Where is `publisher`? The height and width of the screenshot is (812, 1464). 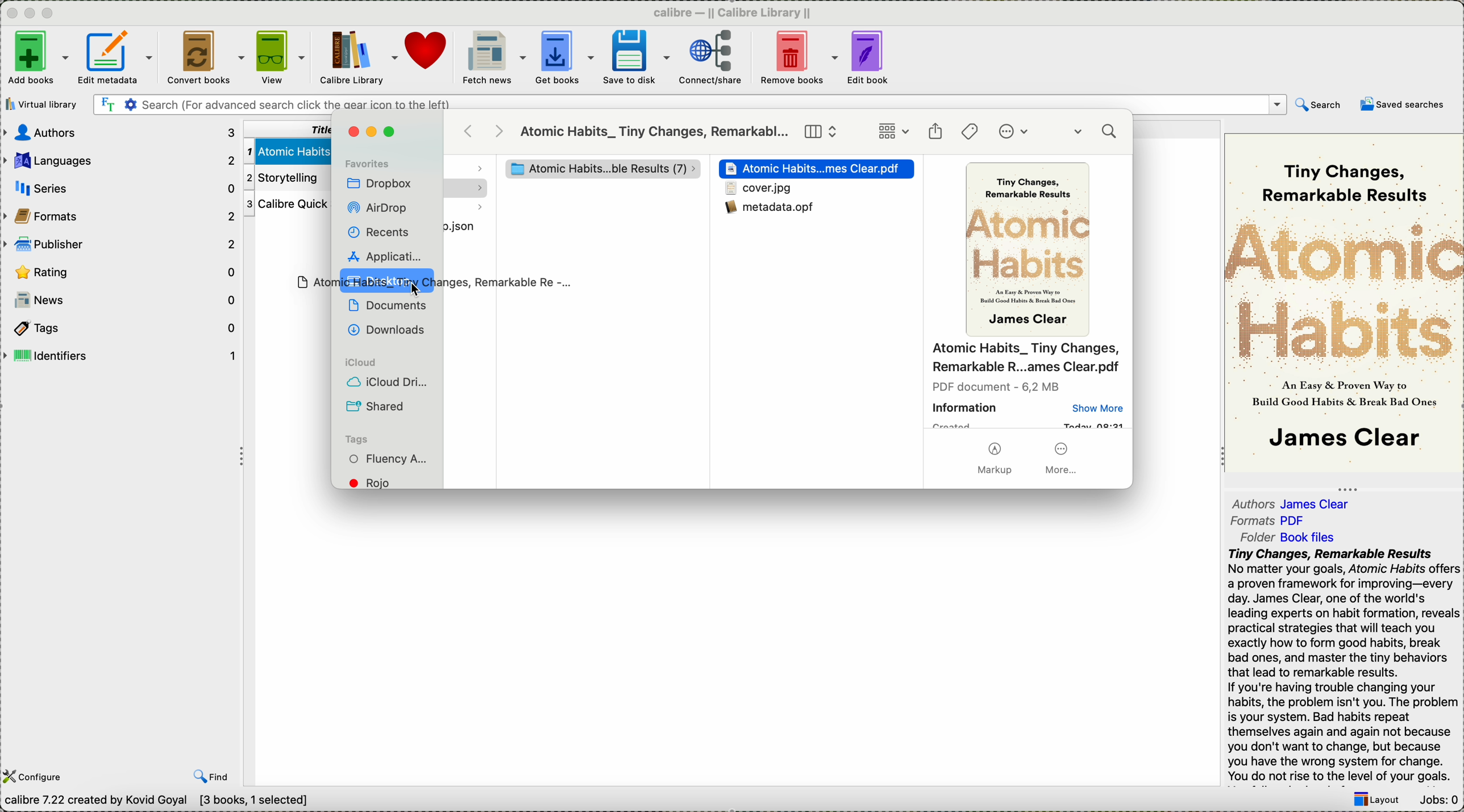
publisher is located at coordinates (121, 243).